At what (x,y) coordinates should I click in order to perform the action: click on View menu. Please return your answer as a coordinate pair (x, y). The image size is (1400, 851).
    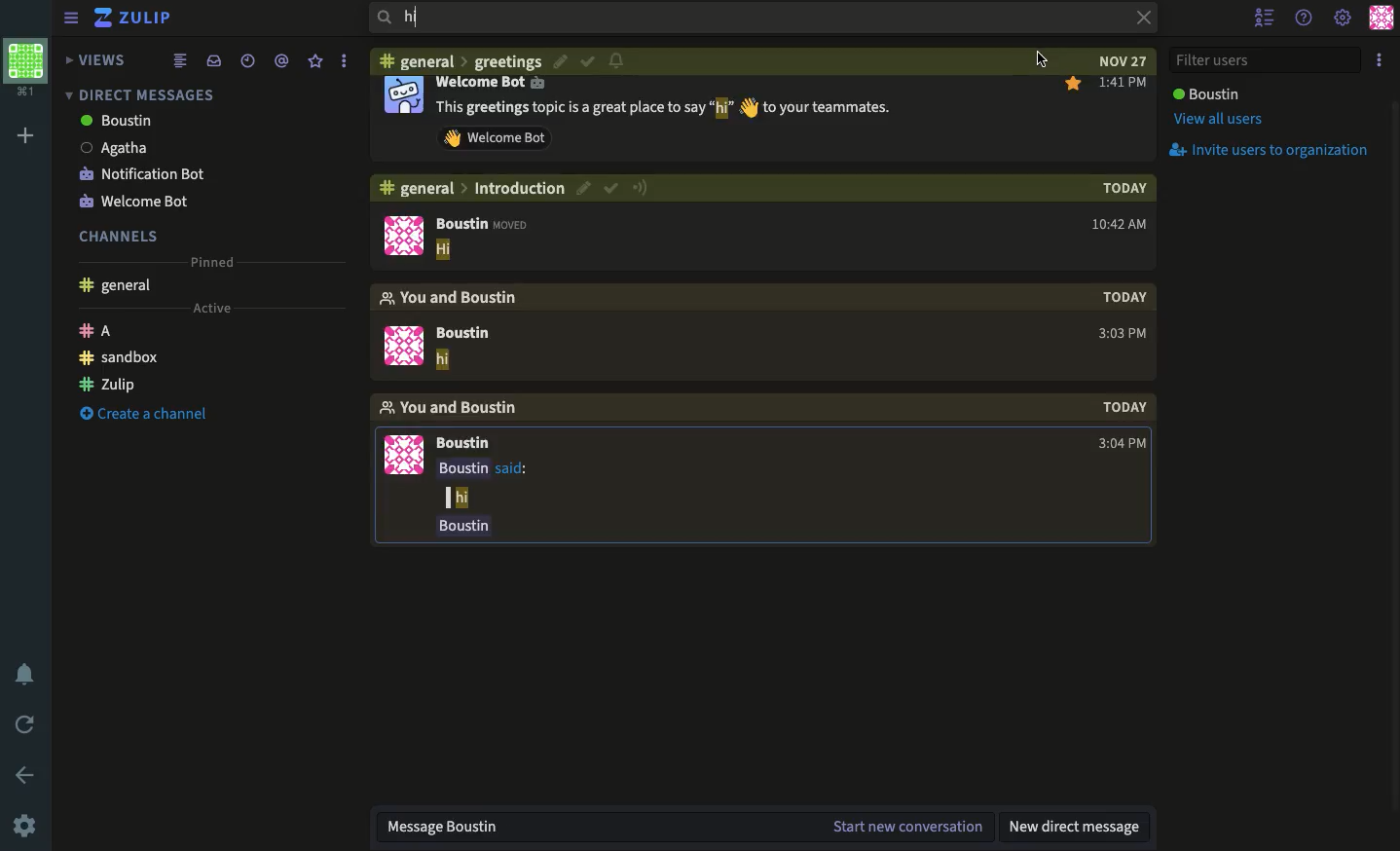
    Looking at the image, I should click on (70, 18).